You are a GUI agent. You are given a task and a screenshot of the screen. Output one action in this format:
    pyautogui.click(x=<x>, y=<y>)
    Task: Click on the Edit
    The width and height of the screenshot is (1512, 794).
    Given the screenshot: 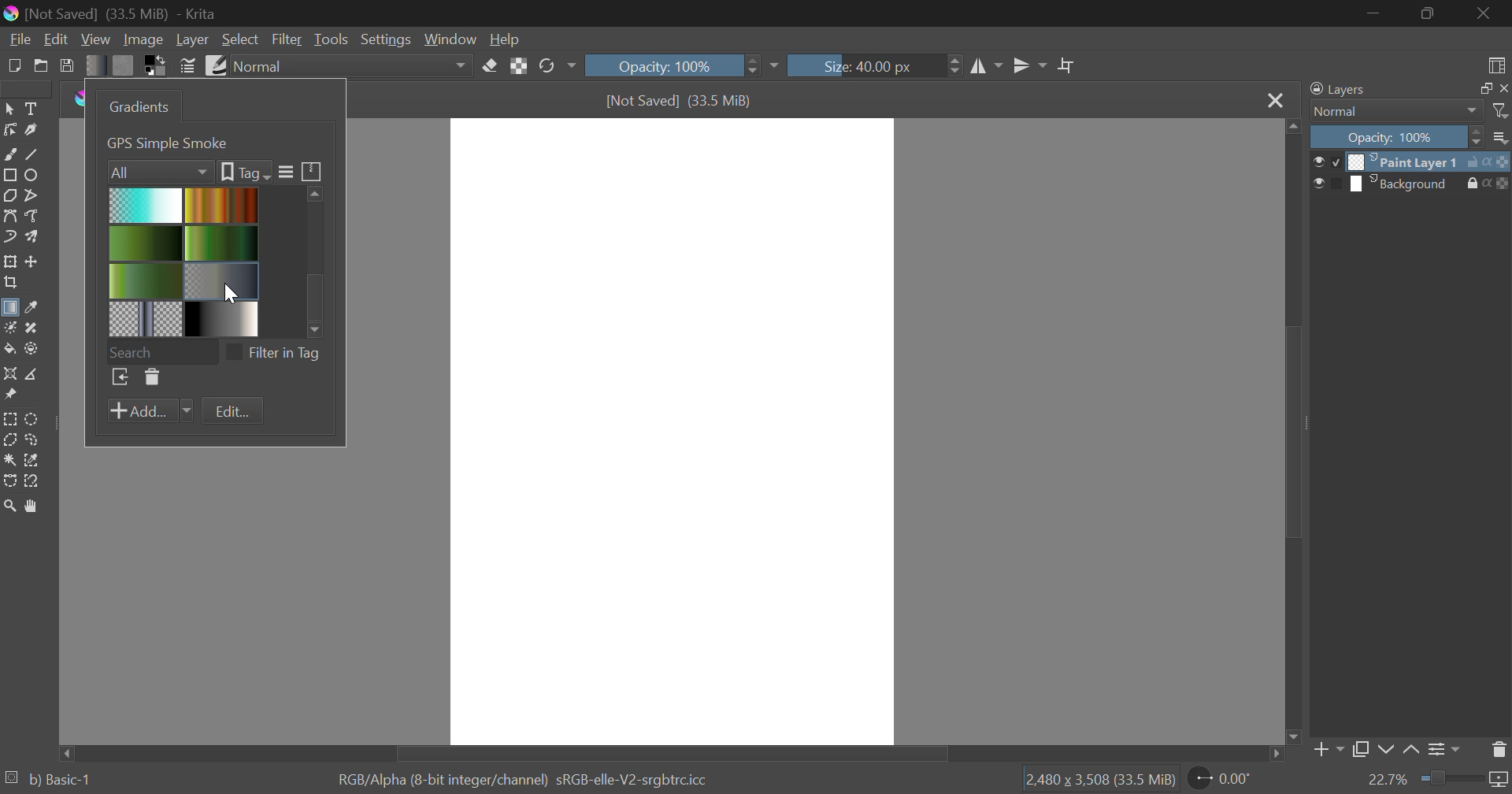 What is the action you would take?
    pyautogui.click(x=57, y=39)
    